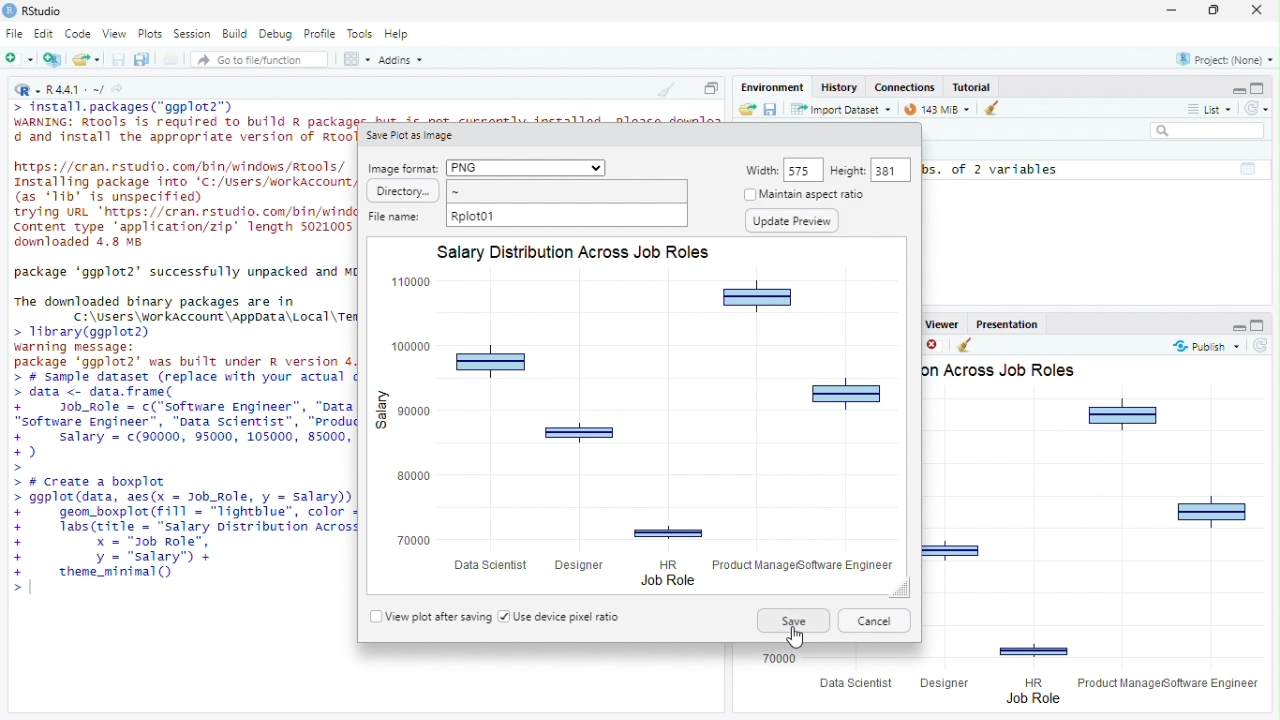 Image resolution: width=1280 pixels, height=720 pixels. Describe the element at coordinates (664, 89) in the screenshot. I see `Clear console` at that location.